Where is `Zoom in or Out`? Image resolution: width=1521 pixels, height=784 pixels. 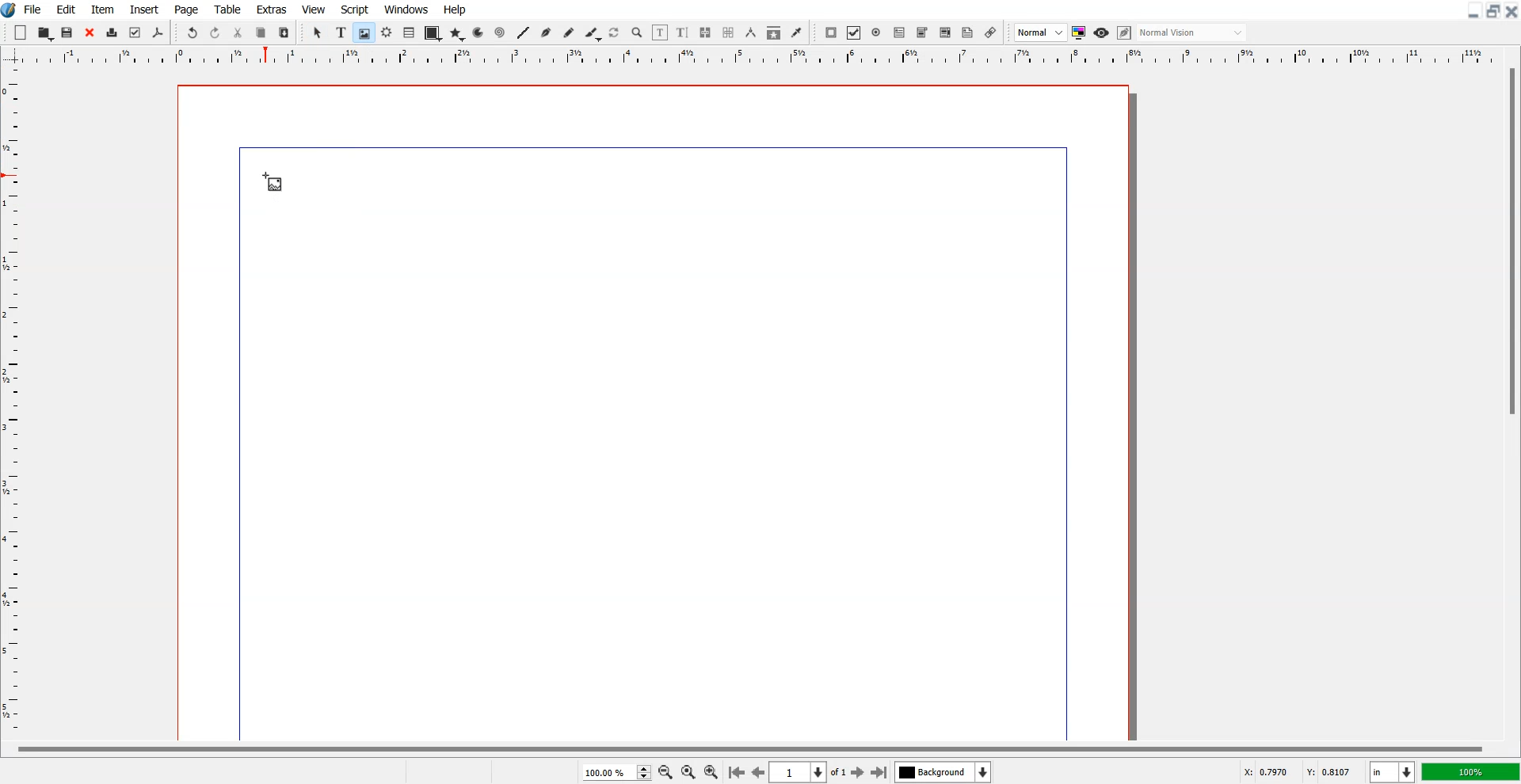 Zoom in or Out is located at coordinates (638, 33).